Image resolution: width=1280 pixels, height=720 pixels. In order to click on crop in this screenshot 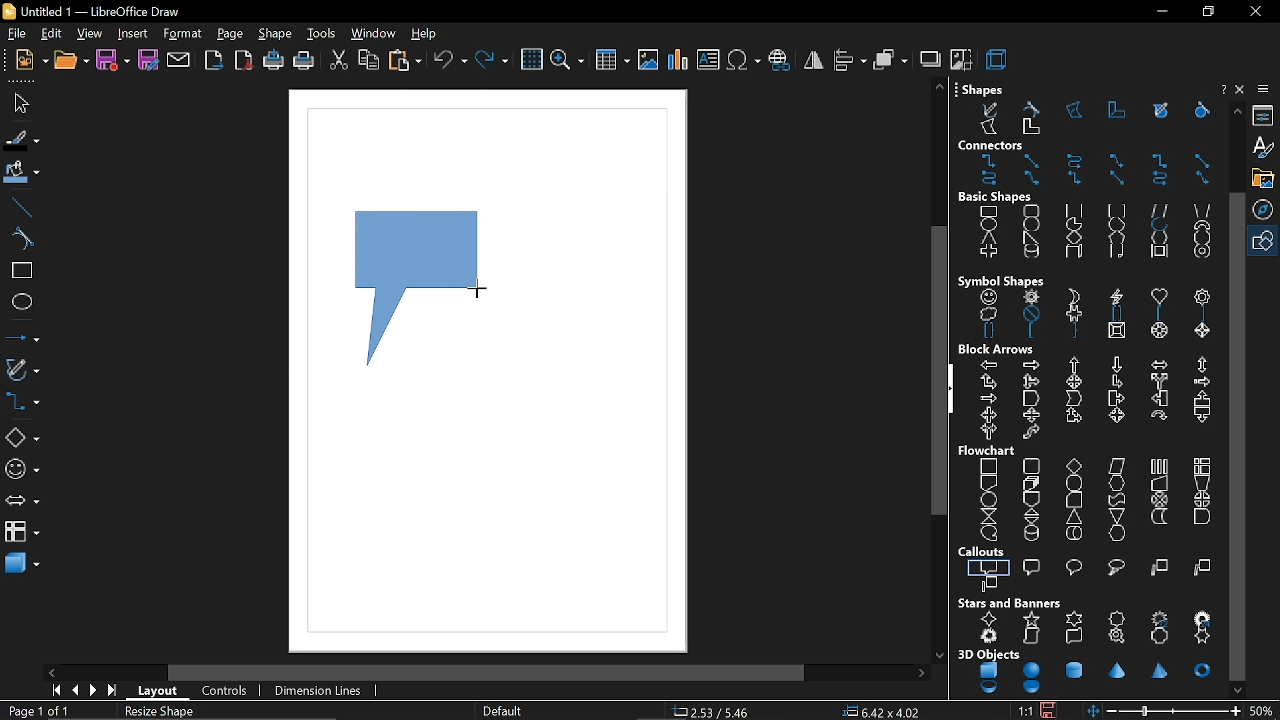, I will do `click(960, 60)`.